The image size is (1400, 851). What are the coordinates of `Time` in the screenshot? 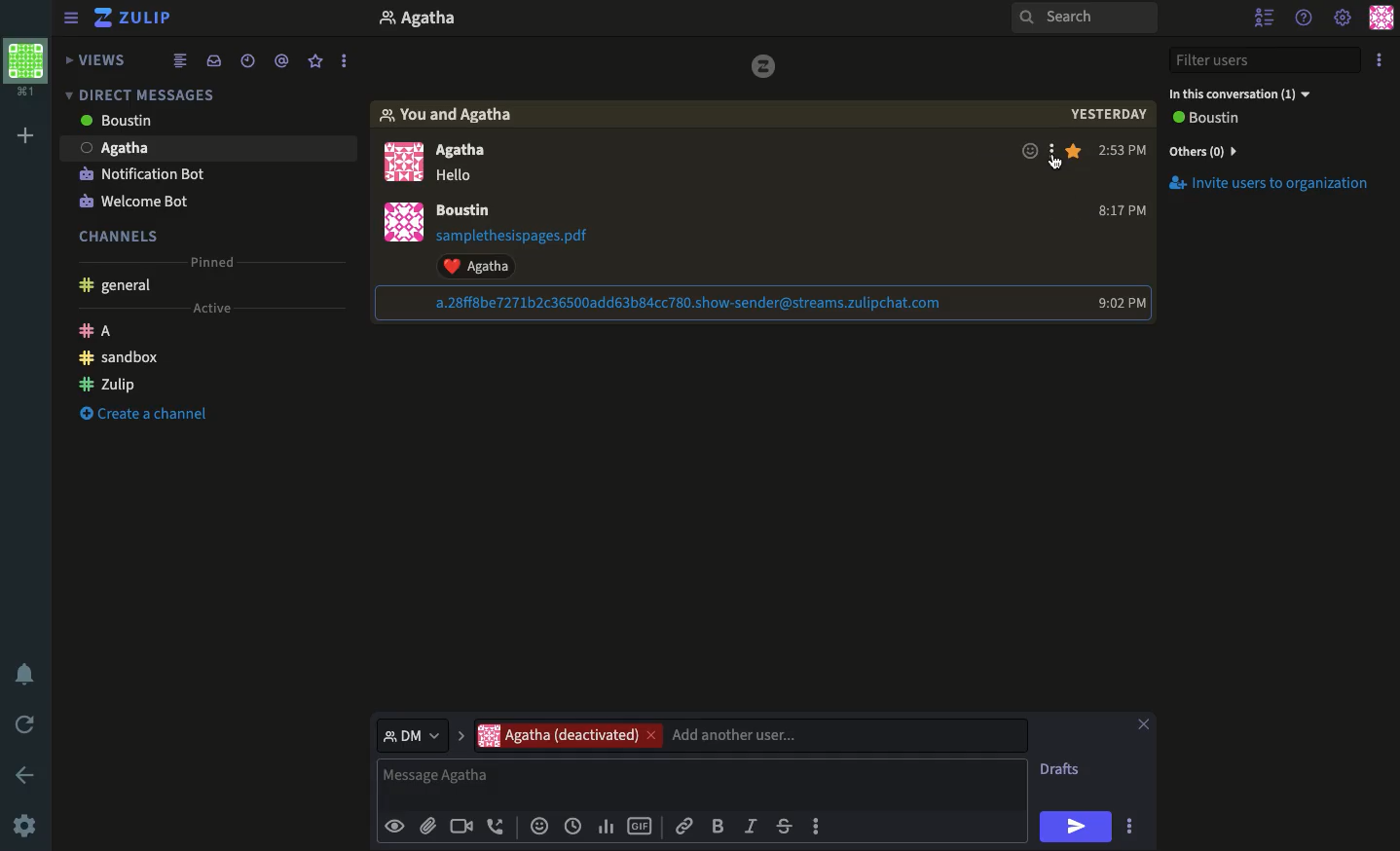 It's located at (247, 58).